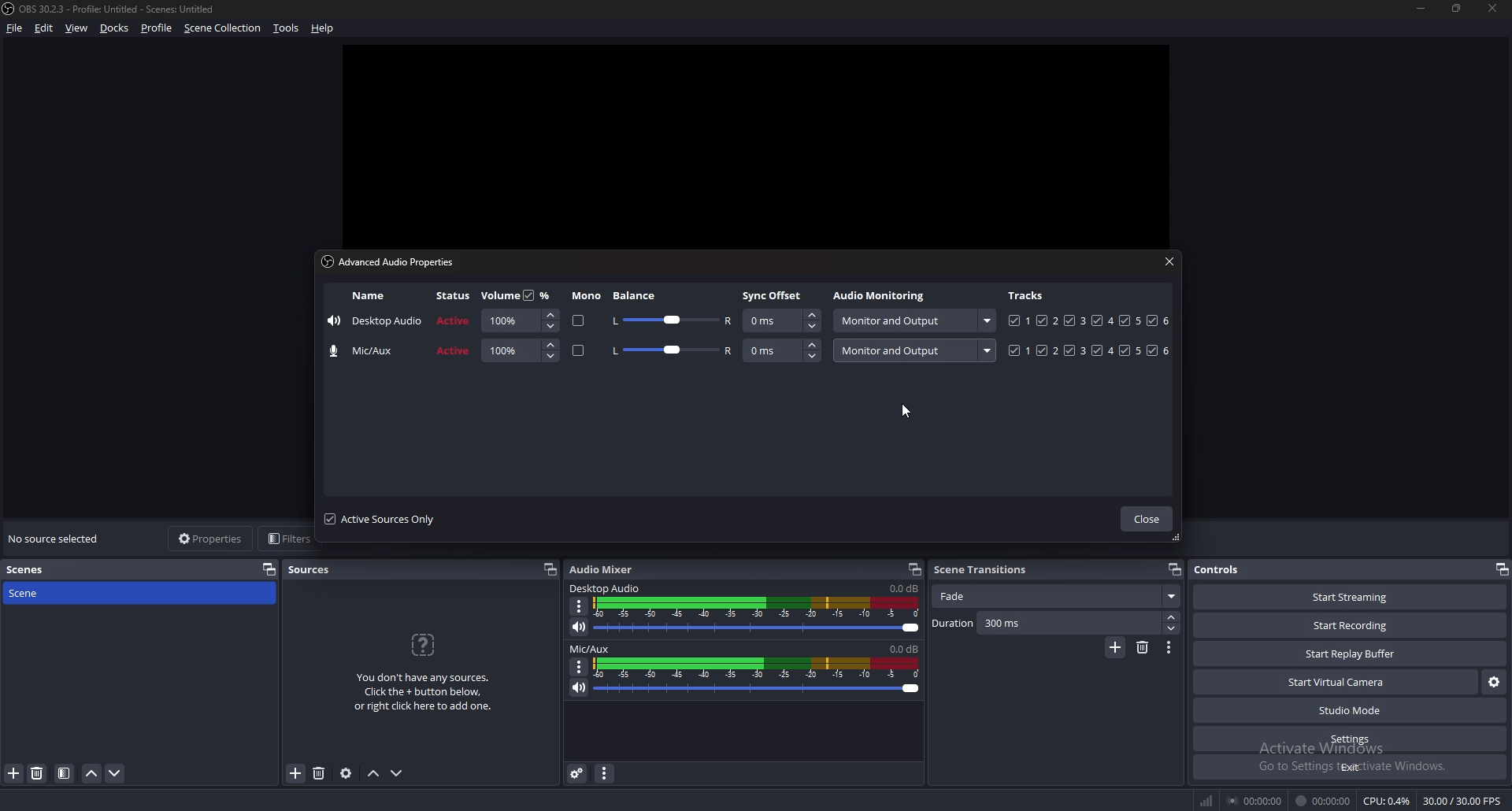 Image resolution: width=1512 pixels, height=811 pixels. I want to click on volume test, so click(758, 606).